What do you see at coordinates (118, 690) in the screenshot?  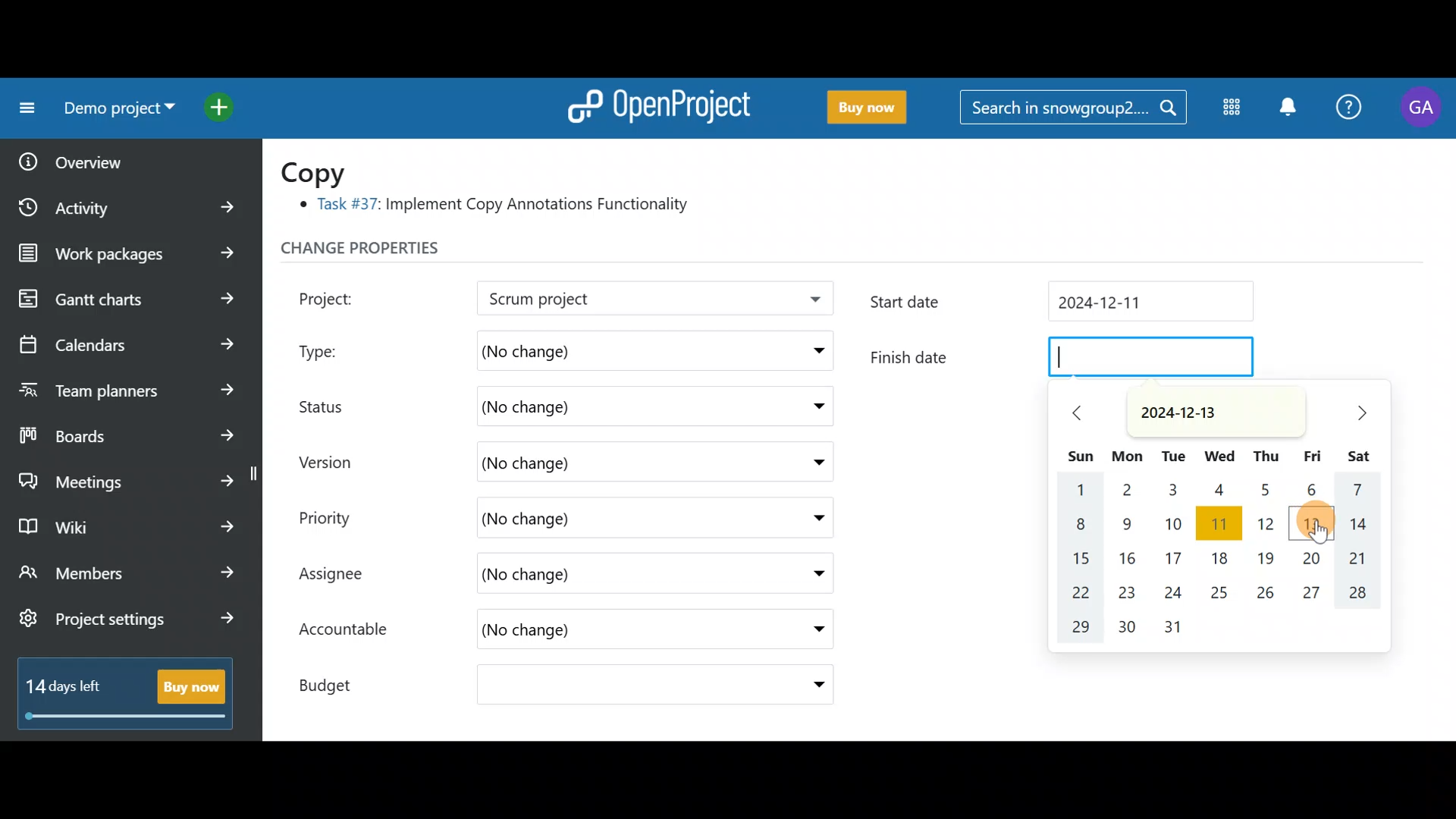 I see `14 days left - Buy now` at bounding box center [118, 690].